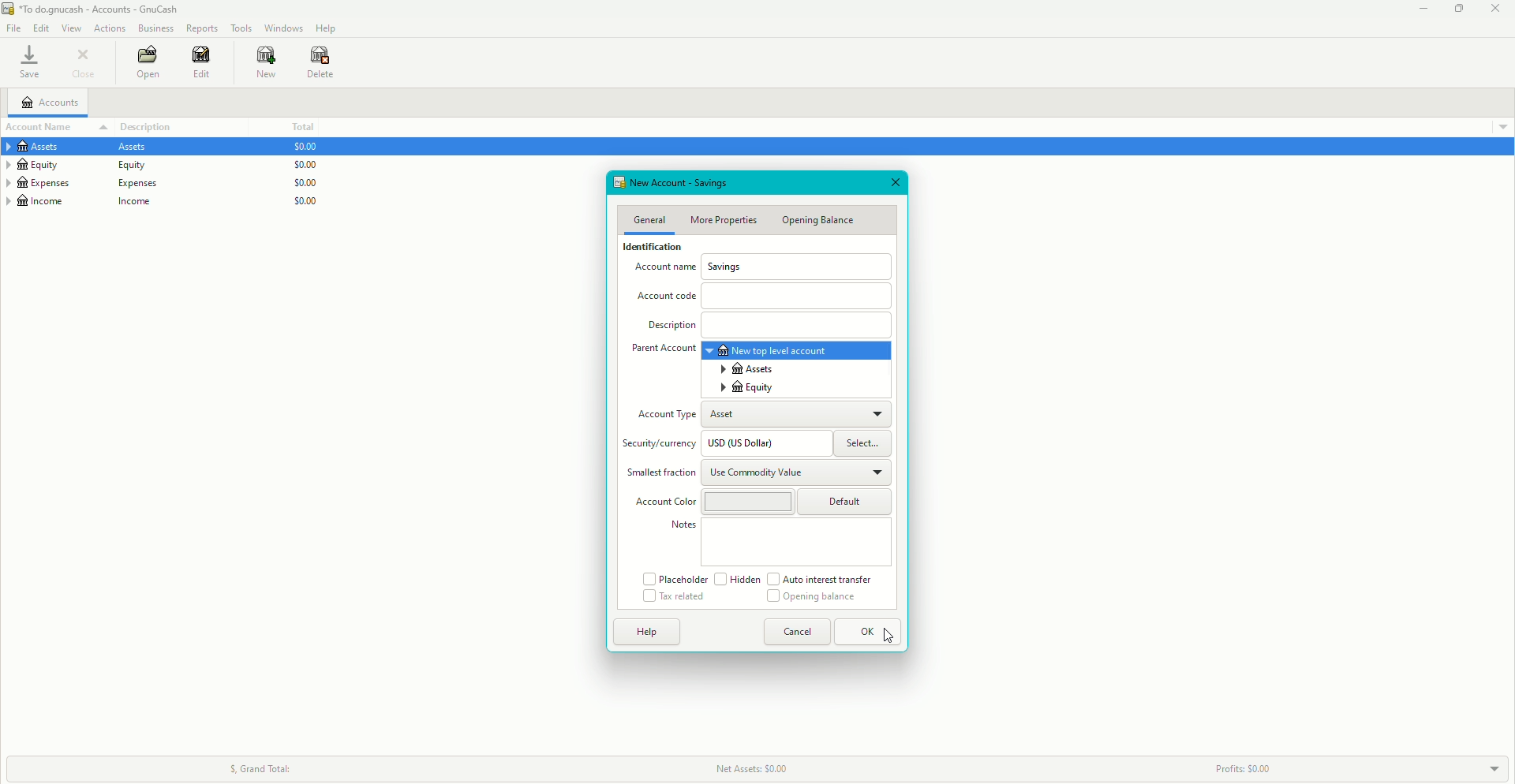 Image resolution: width=1515 pixels, height=784 pixels. Describe the element at coordinates (42, 127) in the screenshot. I see `Account name` at that location.